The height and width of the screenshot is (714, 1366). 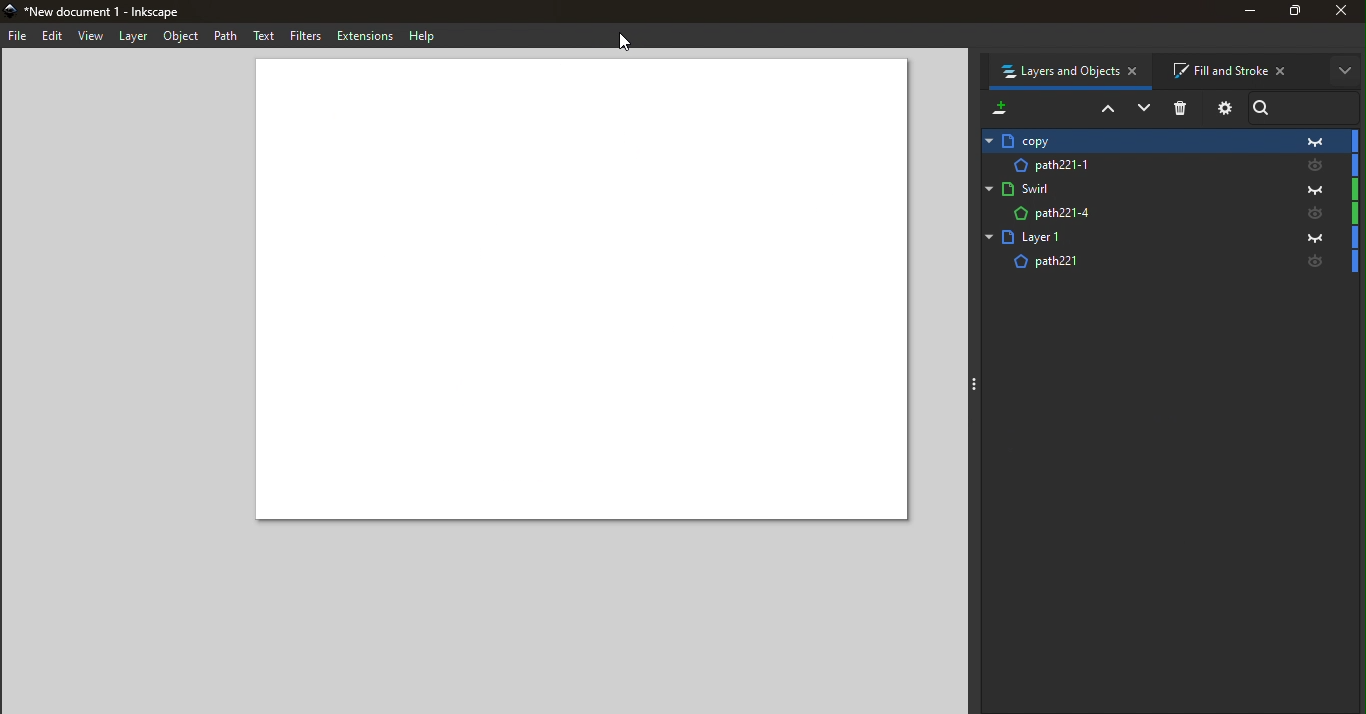 I want to click on Layer, so click(x=134, y=37).